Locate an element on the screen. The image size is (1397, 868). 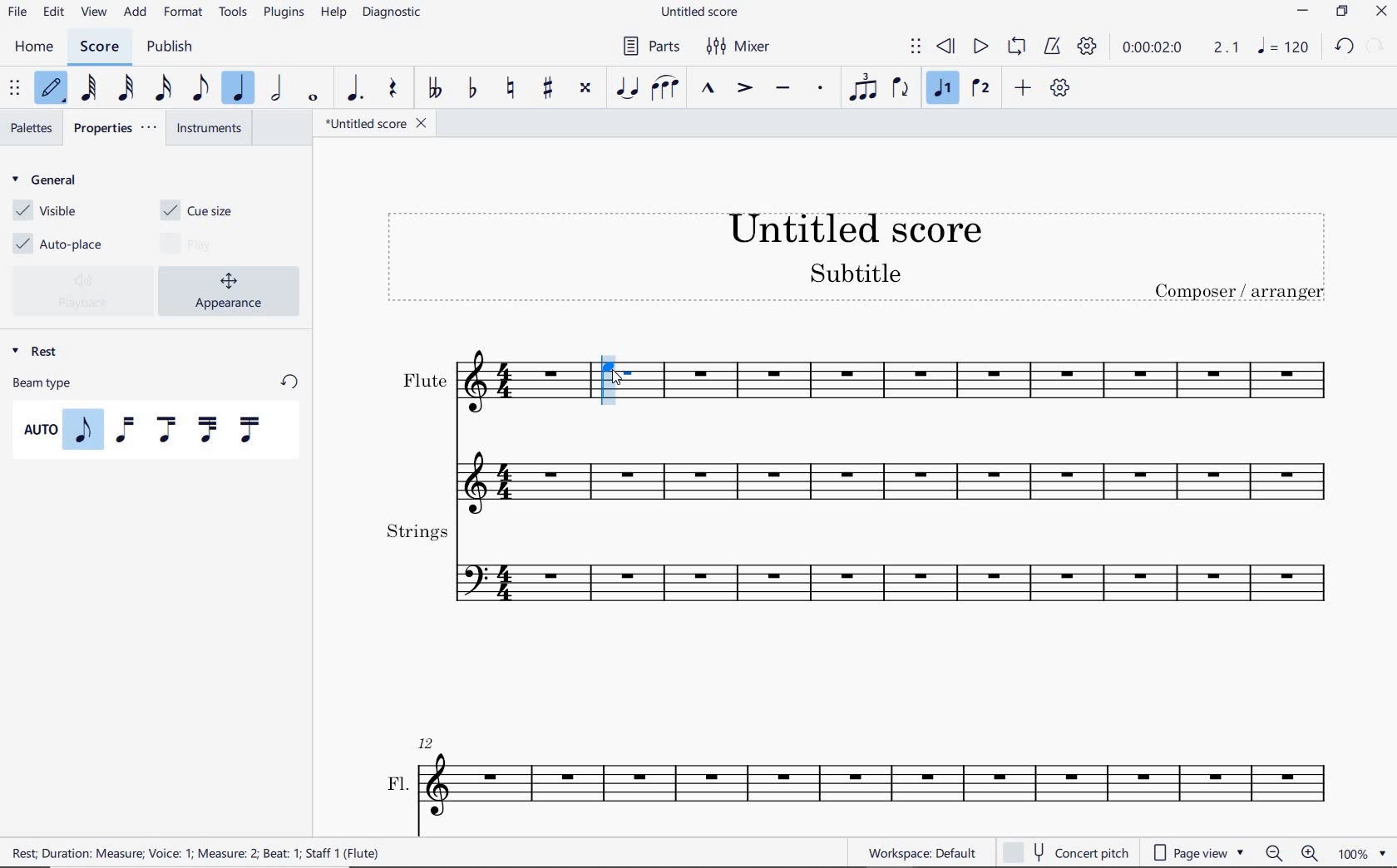
DIAGNOSTIC is located at coordinates (394, 13).